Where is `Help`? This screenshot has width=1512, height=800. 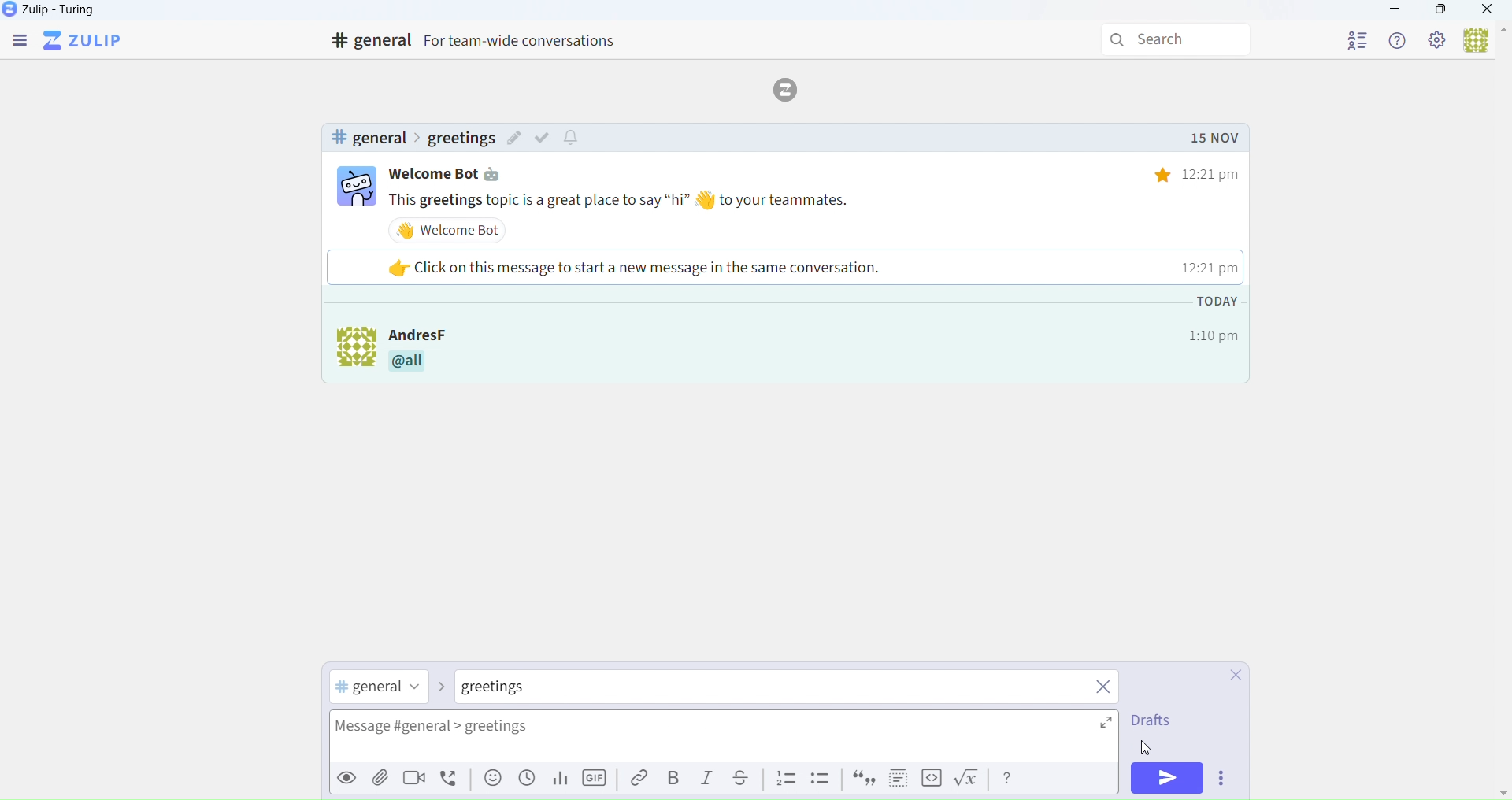 Help is located at coordinates (1009, 778).